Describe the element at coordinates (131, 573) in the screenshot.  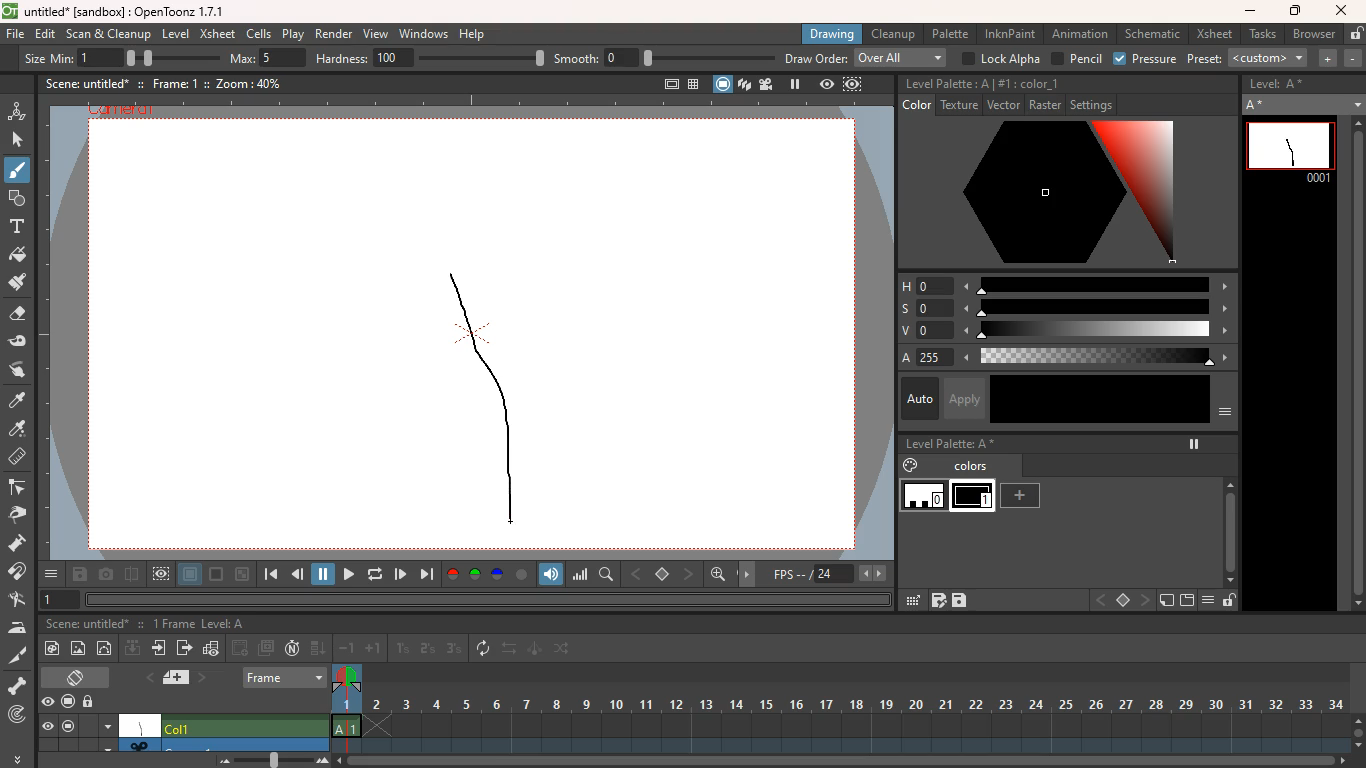
I see `divide` at that location.